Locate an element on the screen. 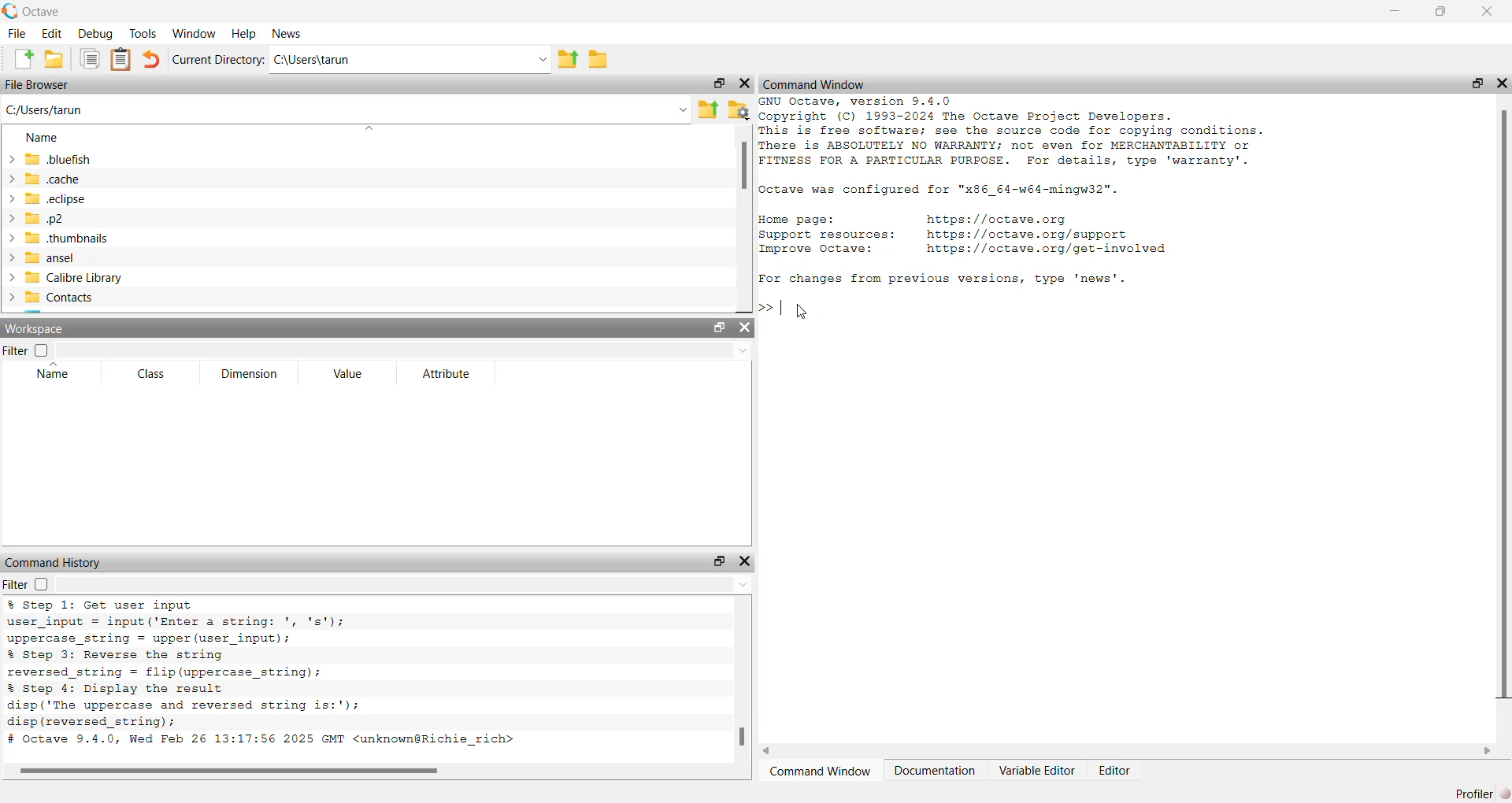 The image size is (1512, 803). class is located at coordinates (145, 375).